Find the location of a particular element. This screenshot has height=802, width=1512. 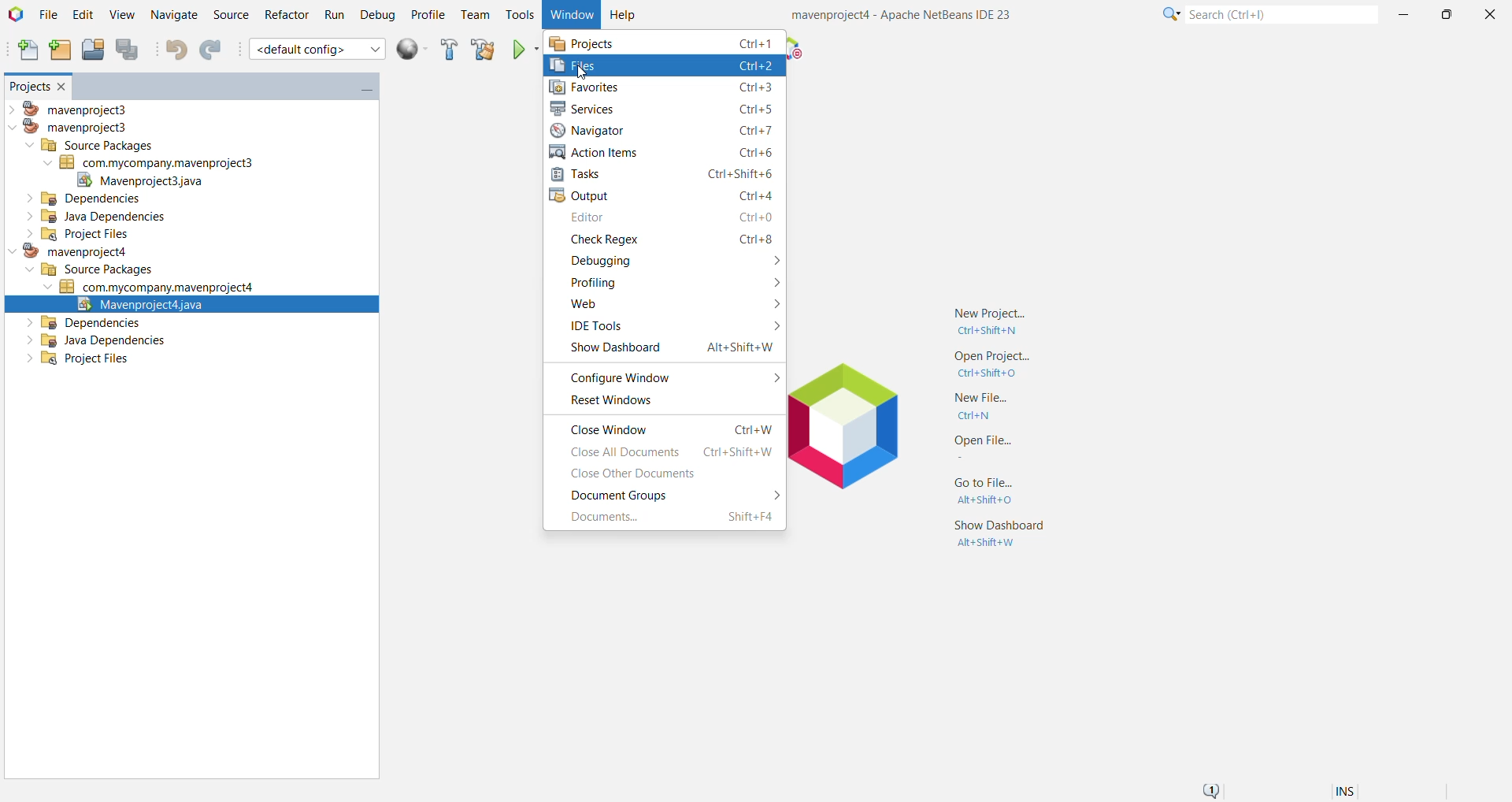

Run is located at coordinates (333, 16).